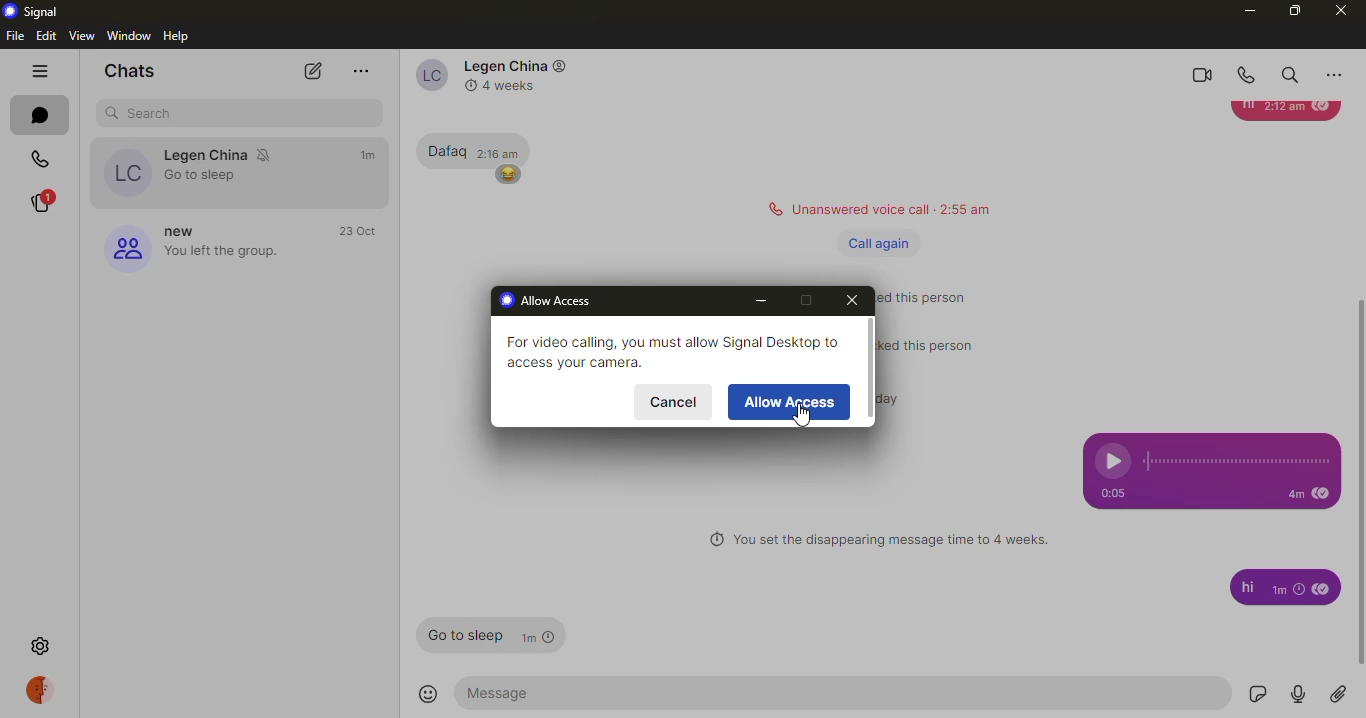 The height and width of the screenshot is (718, 1366). I want to click on 1m, so click(1289, 592).